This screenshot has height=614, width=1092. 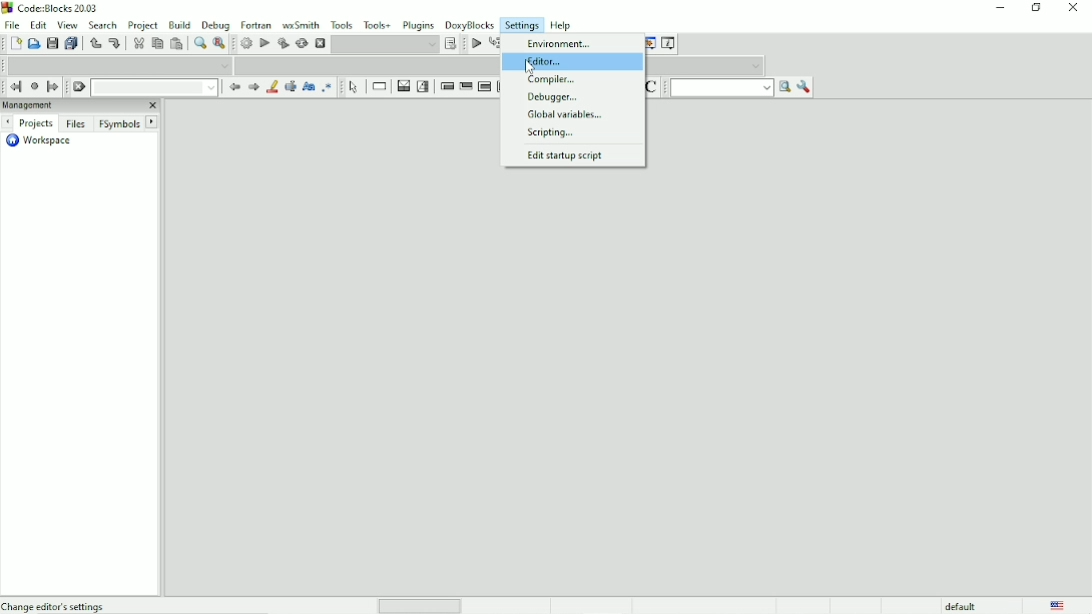 What do you see at coordinates (272, 87) in the screenshot?
I see `Highlight` at bounding box center [272, 87].